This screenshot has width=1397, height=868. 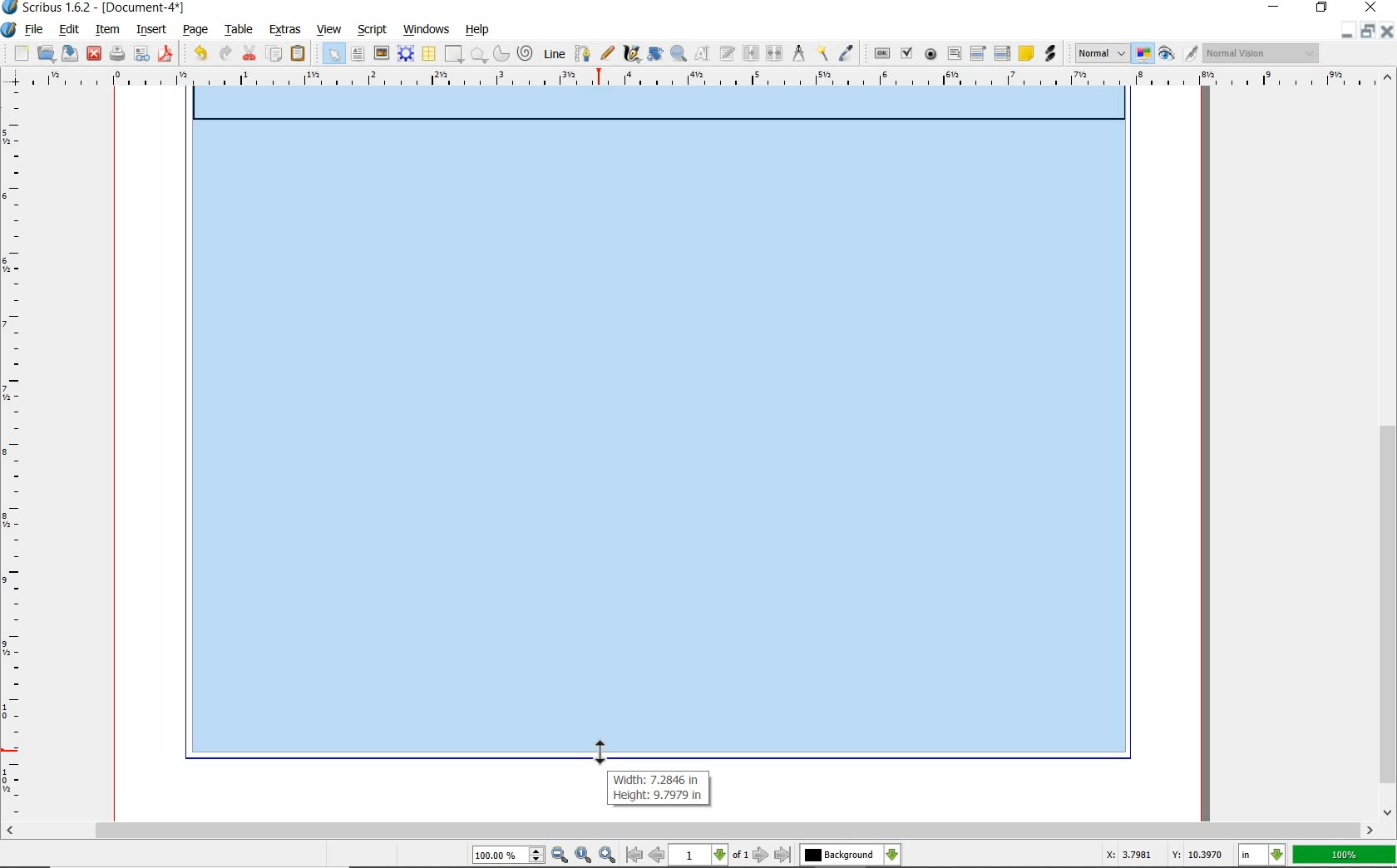 I want to click on edit text with story editor, so click(x=726, y=54).